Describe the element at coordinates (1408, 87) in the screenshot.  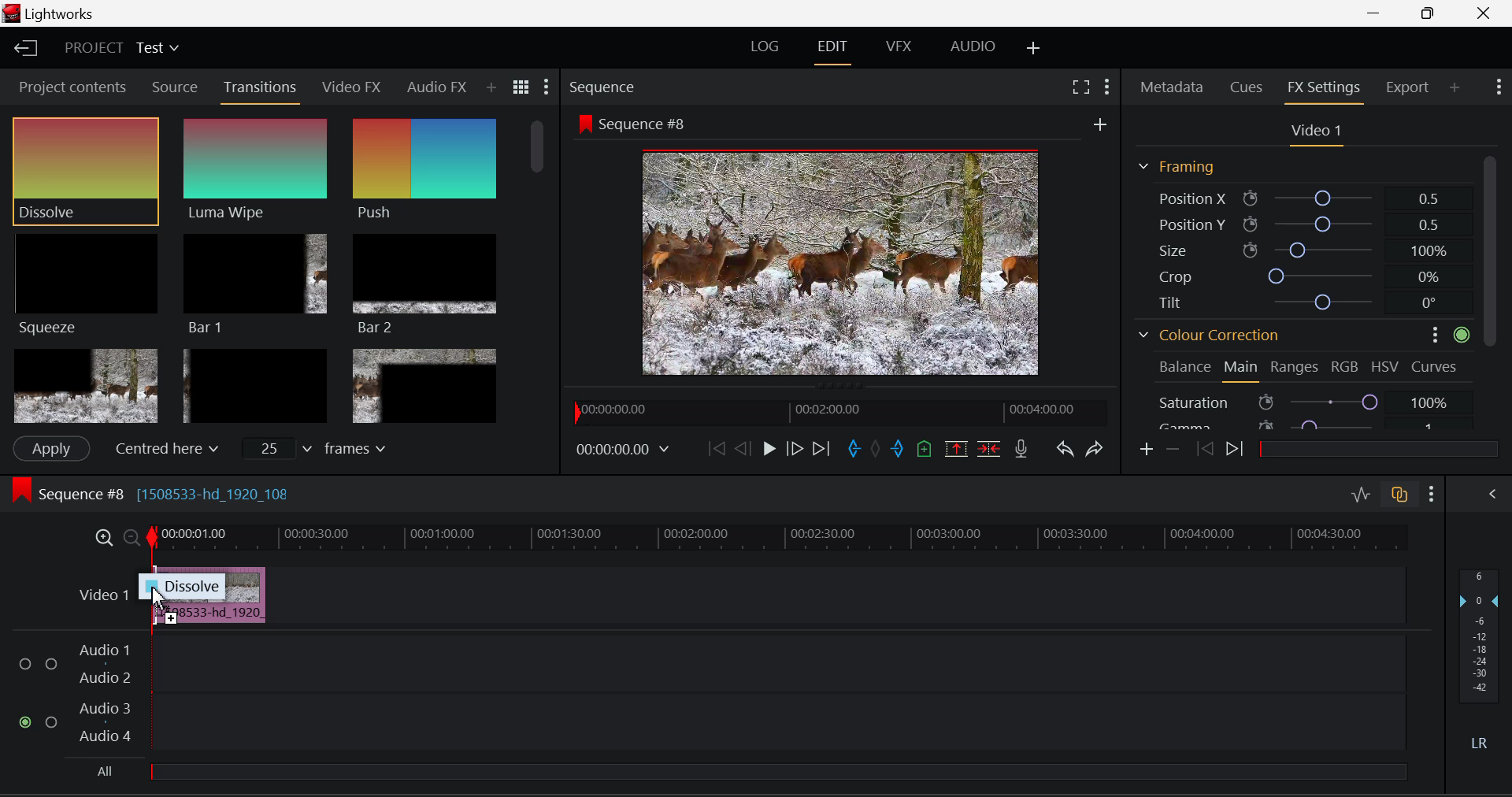
I see `Export` at that location.